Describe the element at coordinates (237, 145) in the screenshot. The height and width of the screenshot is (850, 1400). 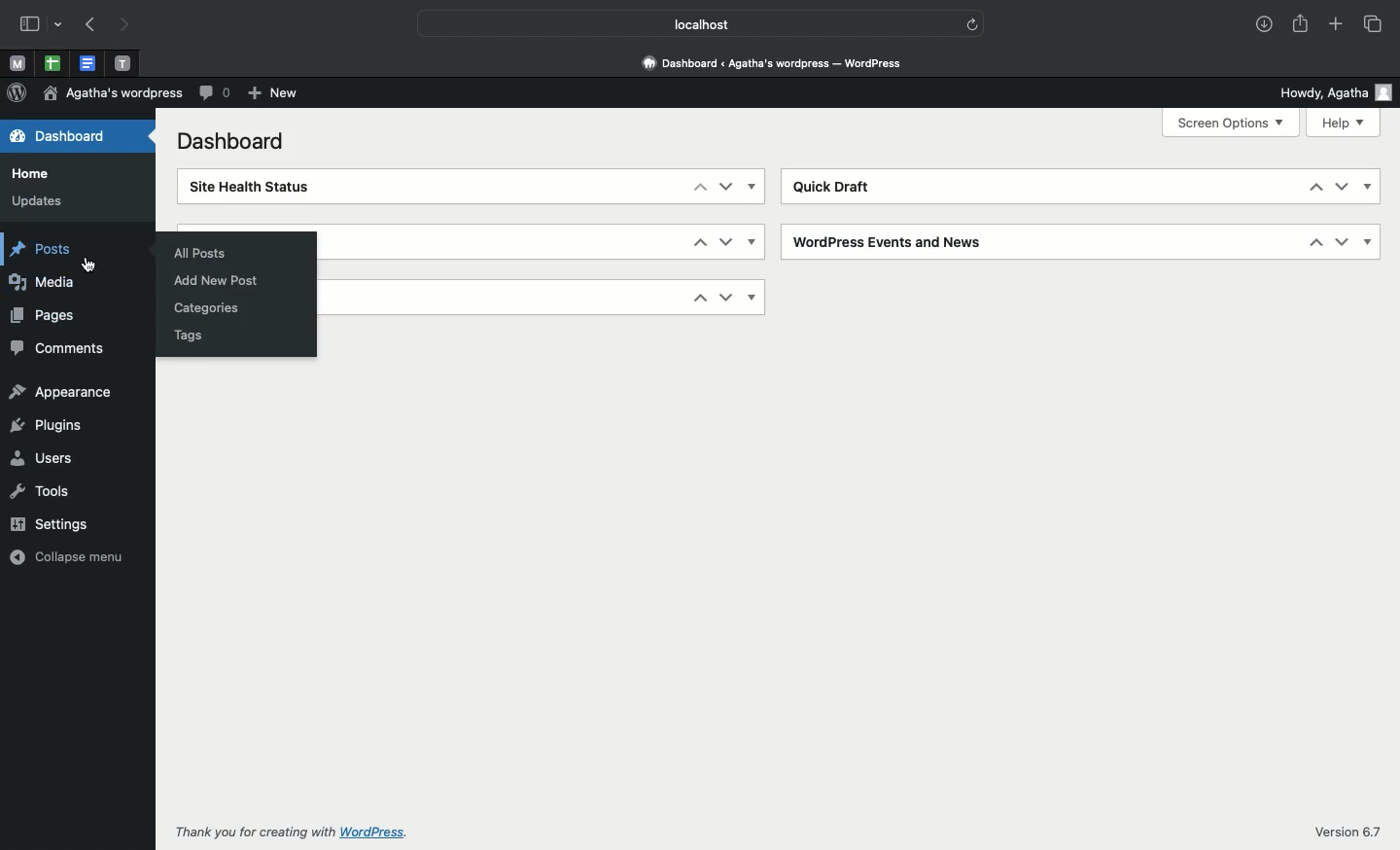
I see `Dashboard` at that location.